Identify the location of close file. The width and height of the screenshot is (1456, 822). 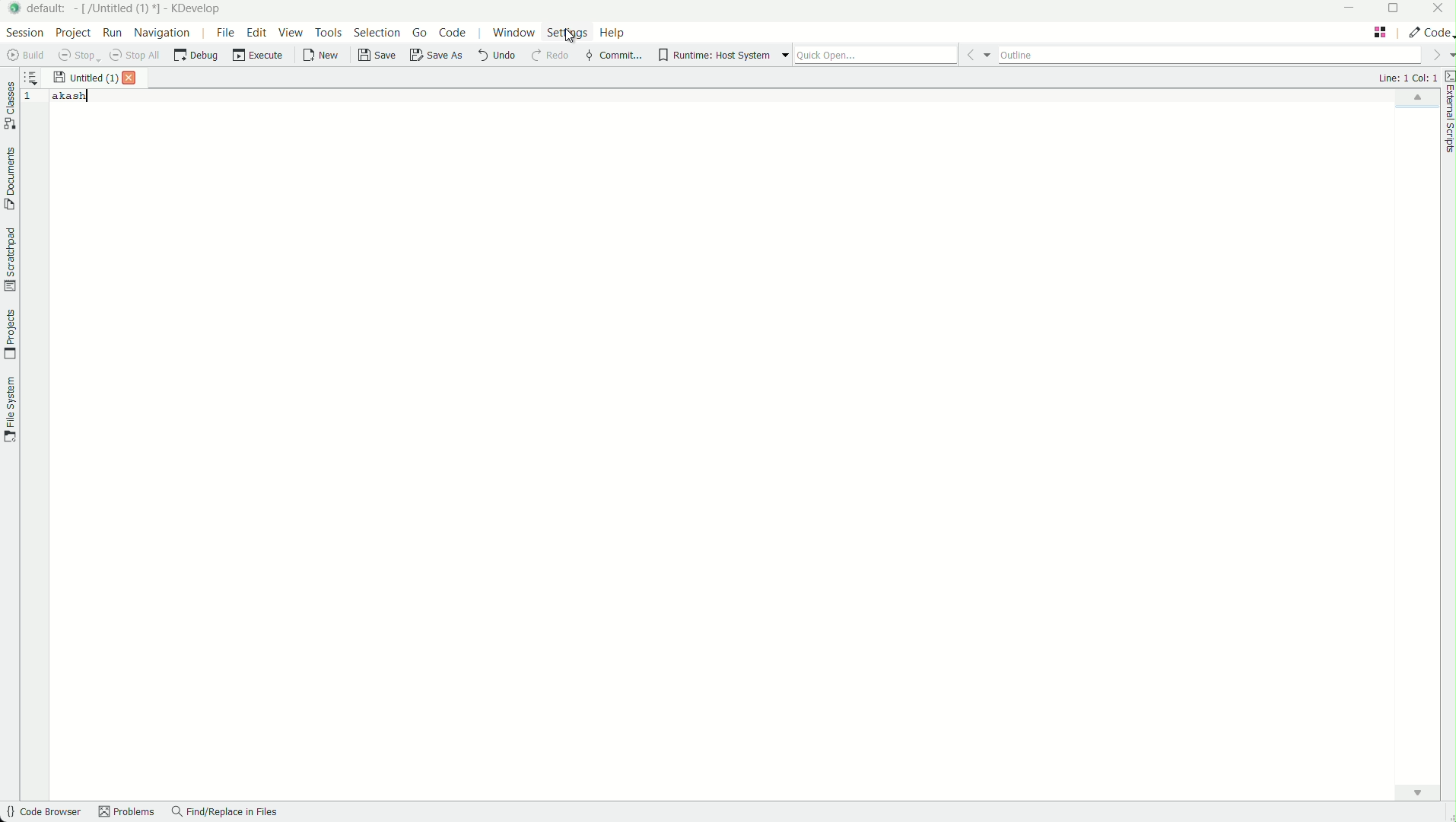
(133, 78).